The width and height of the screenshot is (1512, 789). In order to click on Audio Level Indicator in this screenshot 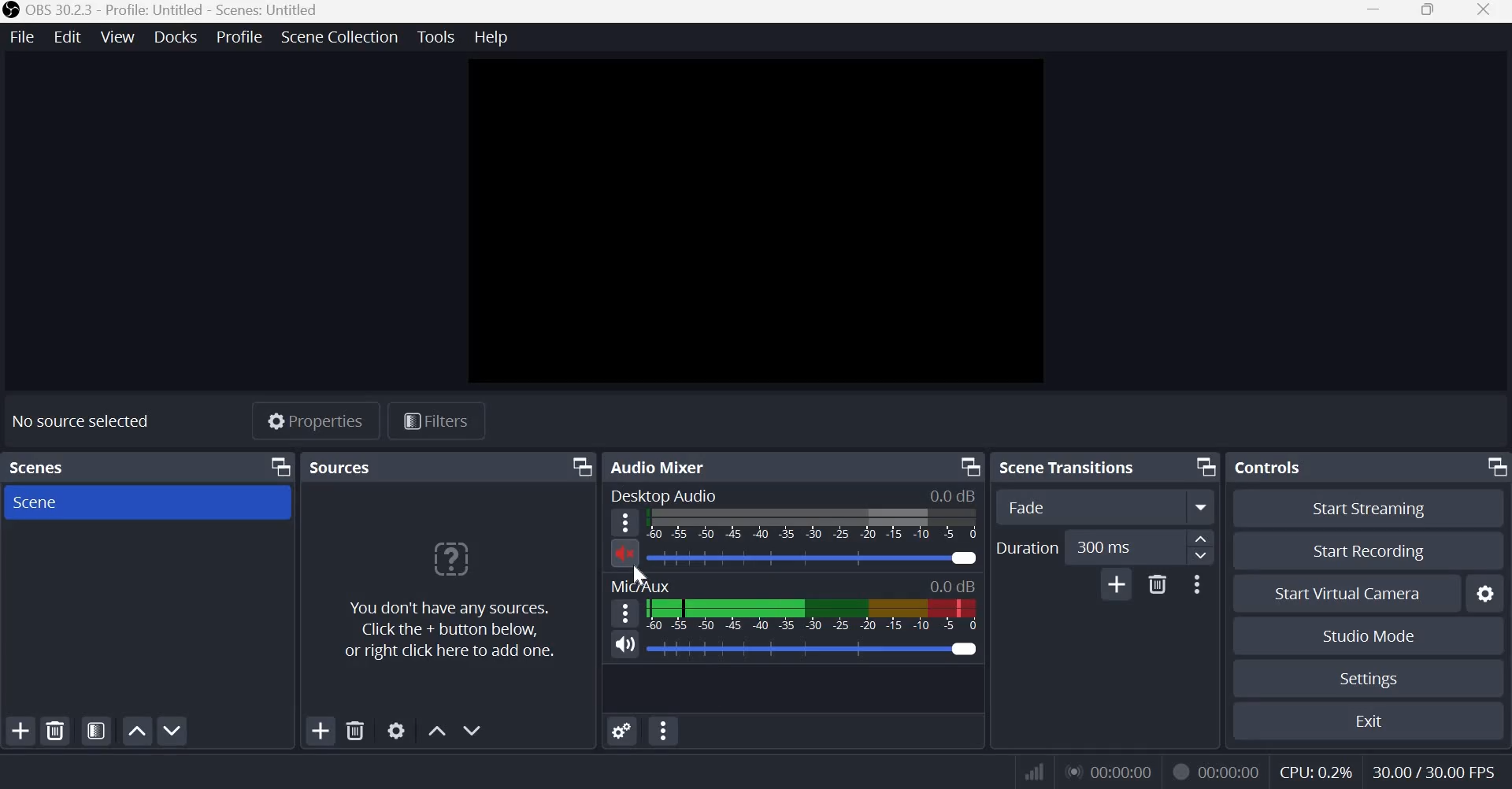, I will do `click(952, 585)`.